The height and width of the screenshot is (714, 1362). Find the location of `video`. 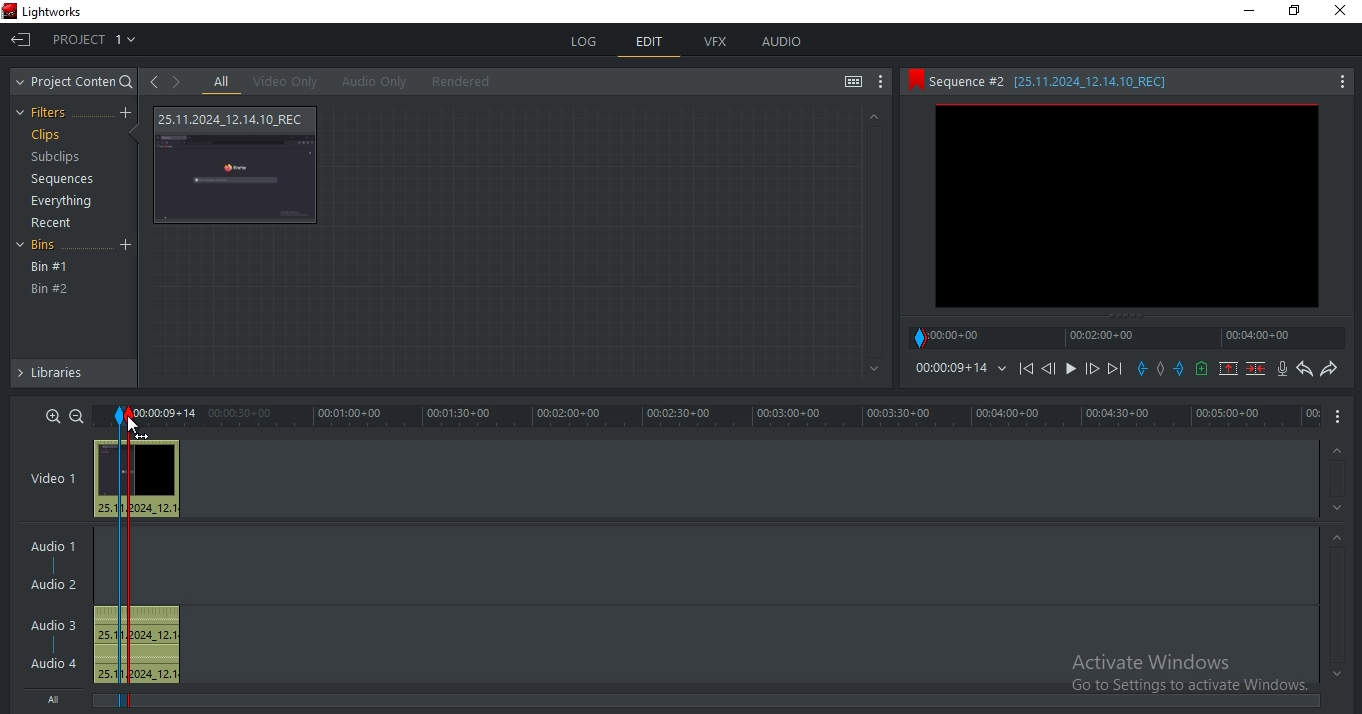

video is located at coordinates (238, 165).